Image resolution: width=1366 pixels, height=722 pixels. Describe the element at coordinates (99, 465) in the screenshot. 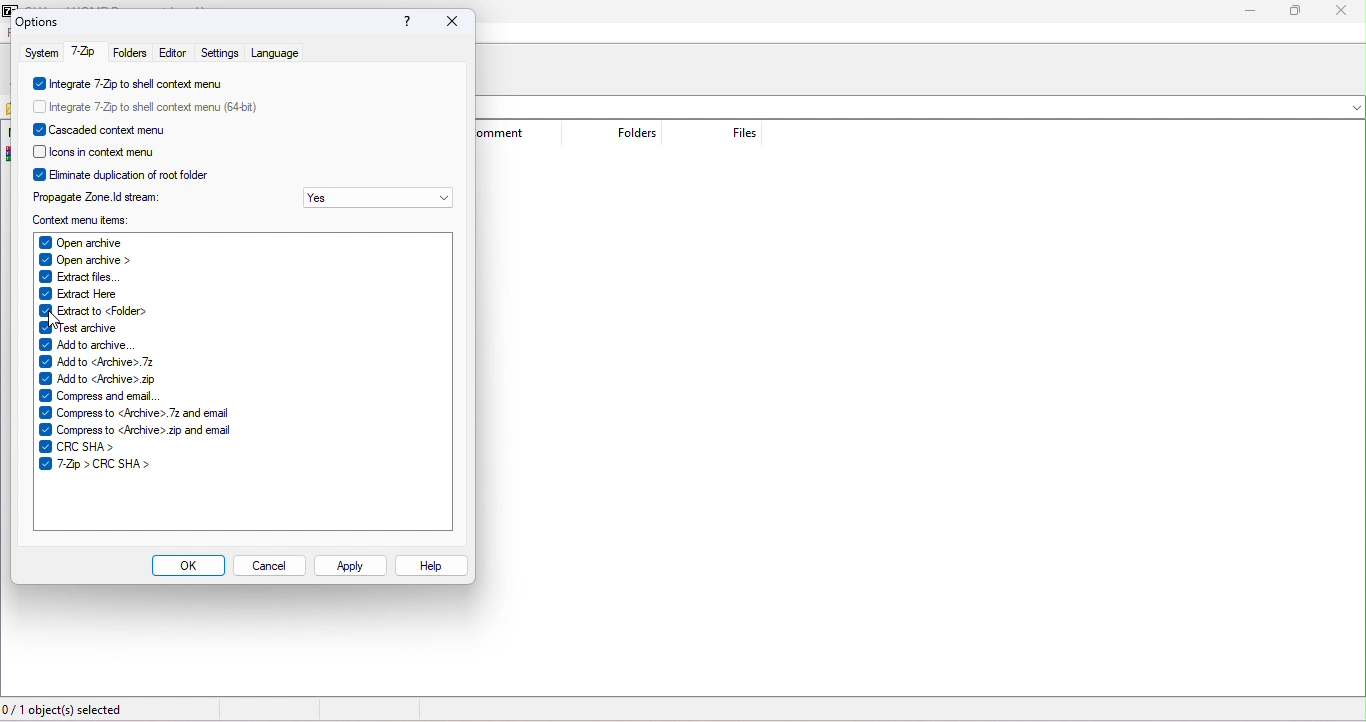

I see `7-zip>crc sha>` at that location.